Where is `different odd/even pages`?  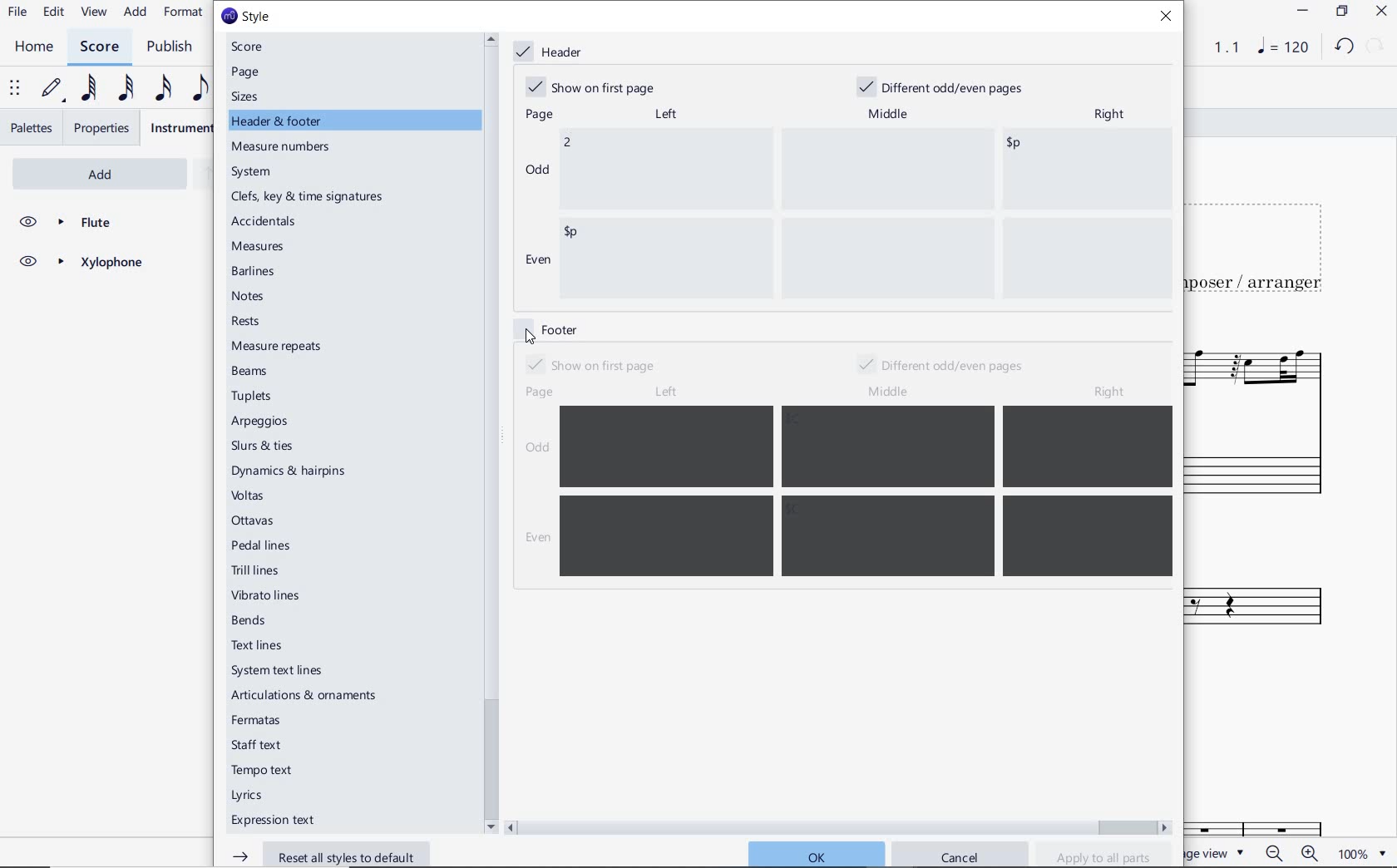
different odd/even pages is located at coordinates (946, 85).